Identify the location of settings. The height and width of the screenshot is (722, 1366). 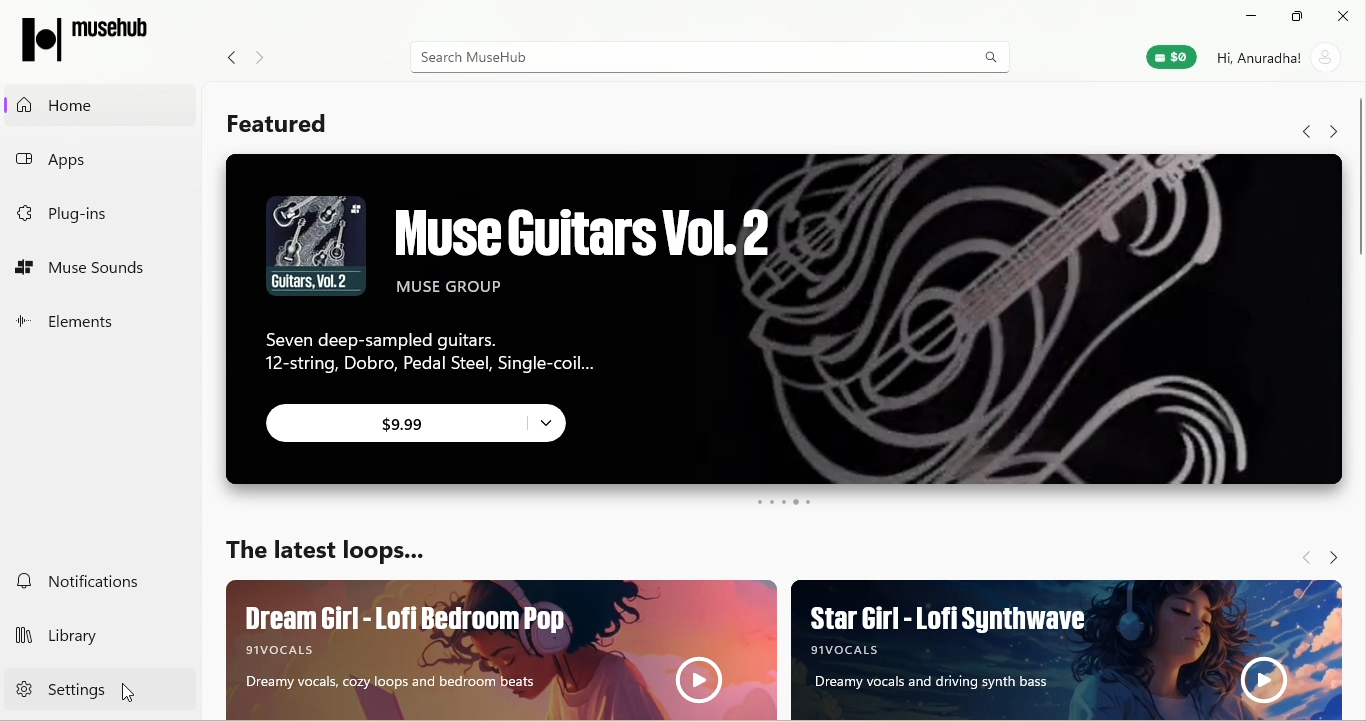
(86, 694).